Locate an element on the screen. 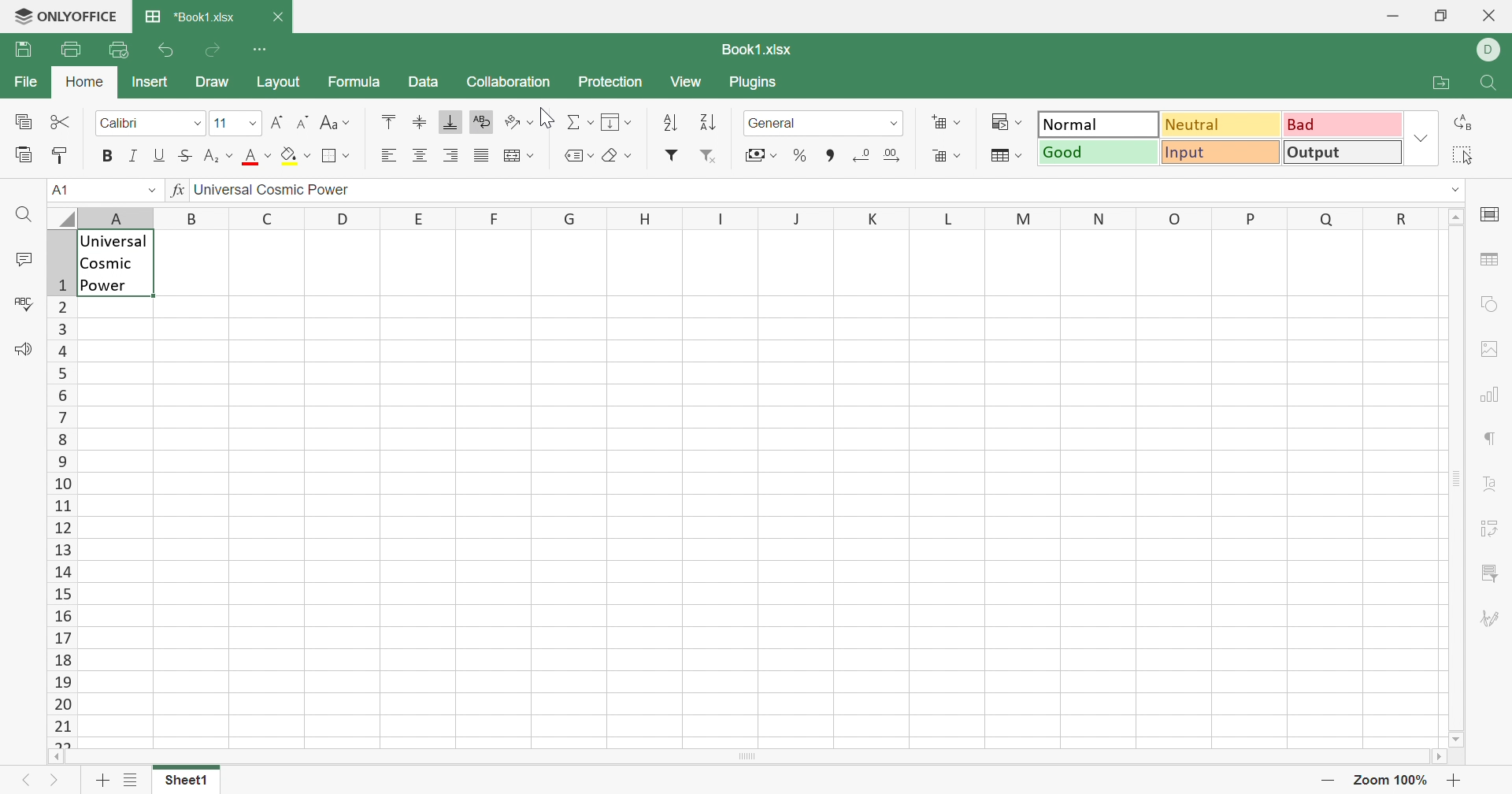 The height and width of the screenshot is (794, 1512). Delete cells is located at coordinates (947, 157).